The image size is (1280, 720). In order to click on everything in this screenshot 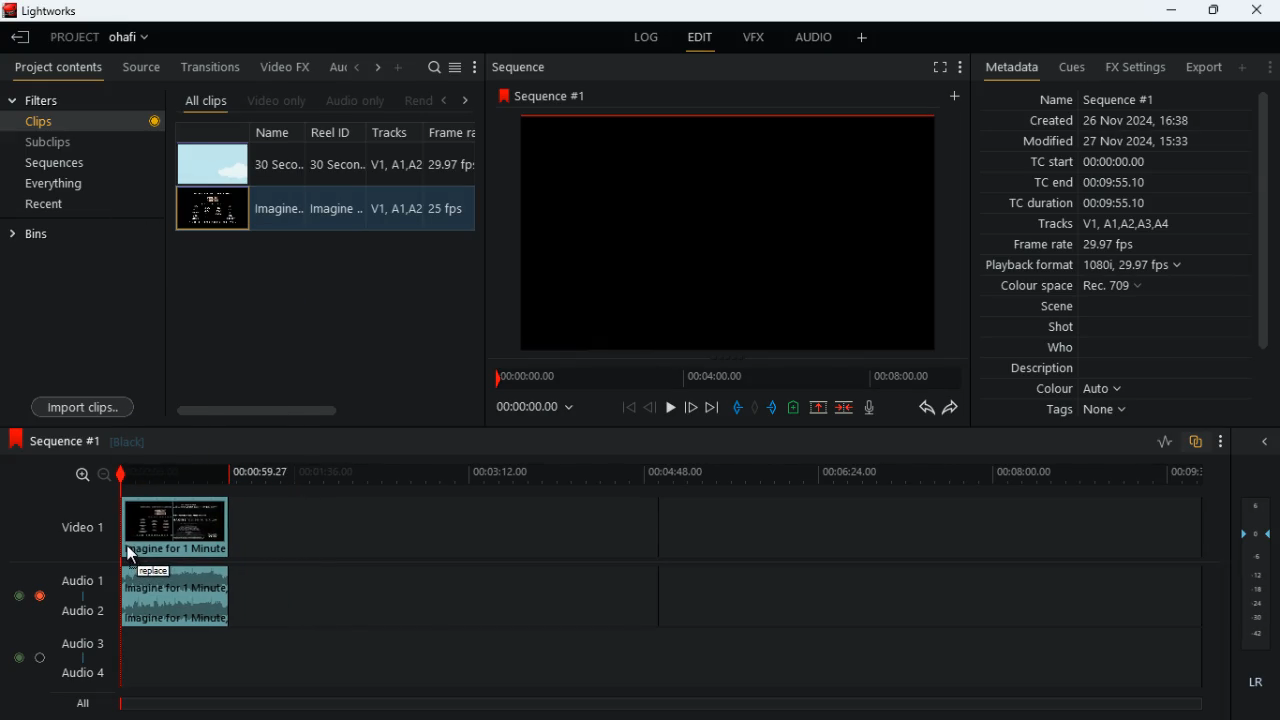, I will do `click(76, 183)`.